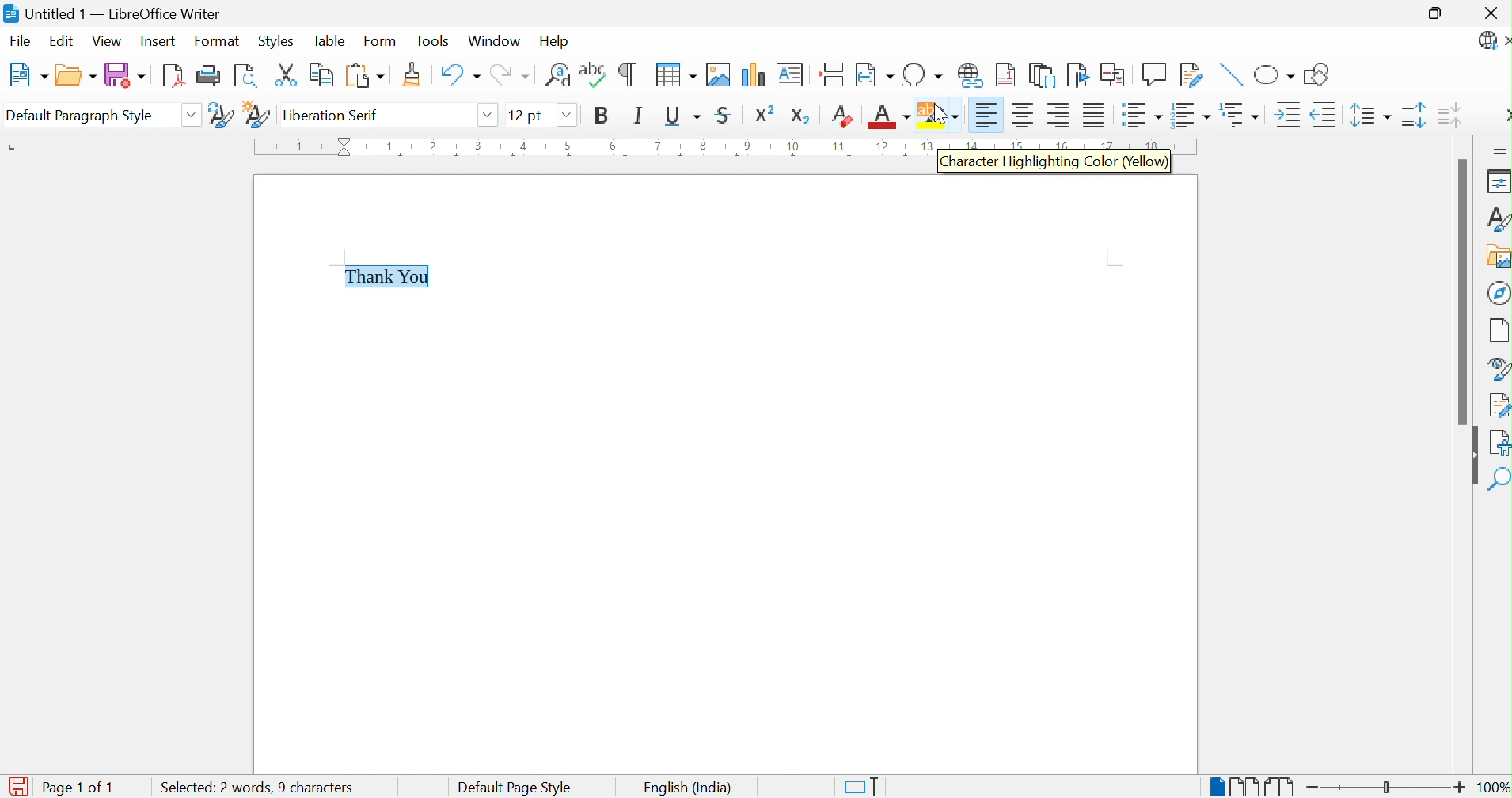 Image resolution: width=1512 pixels, height=798 pixels. Describe the element at coordinates (160, 40) in the screenshot. I see `Insert` at that location.